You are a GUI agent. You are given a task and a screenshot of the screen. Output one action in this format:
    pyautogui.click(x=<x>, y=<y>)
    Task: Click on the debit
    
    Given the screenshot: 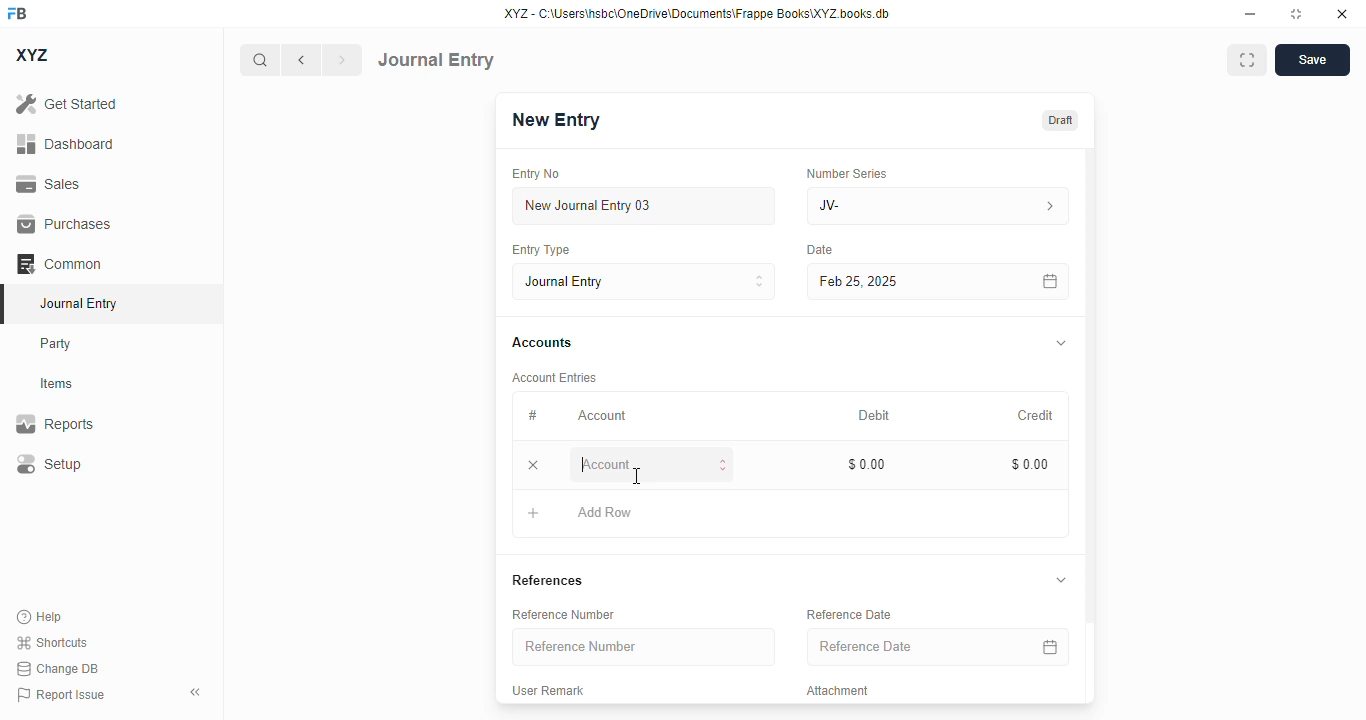 What is the action you would take?
    pyautogui.click(x=875, y=417)
    